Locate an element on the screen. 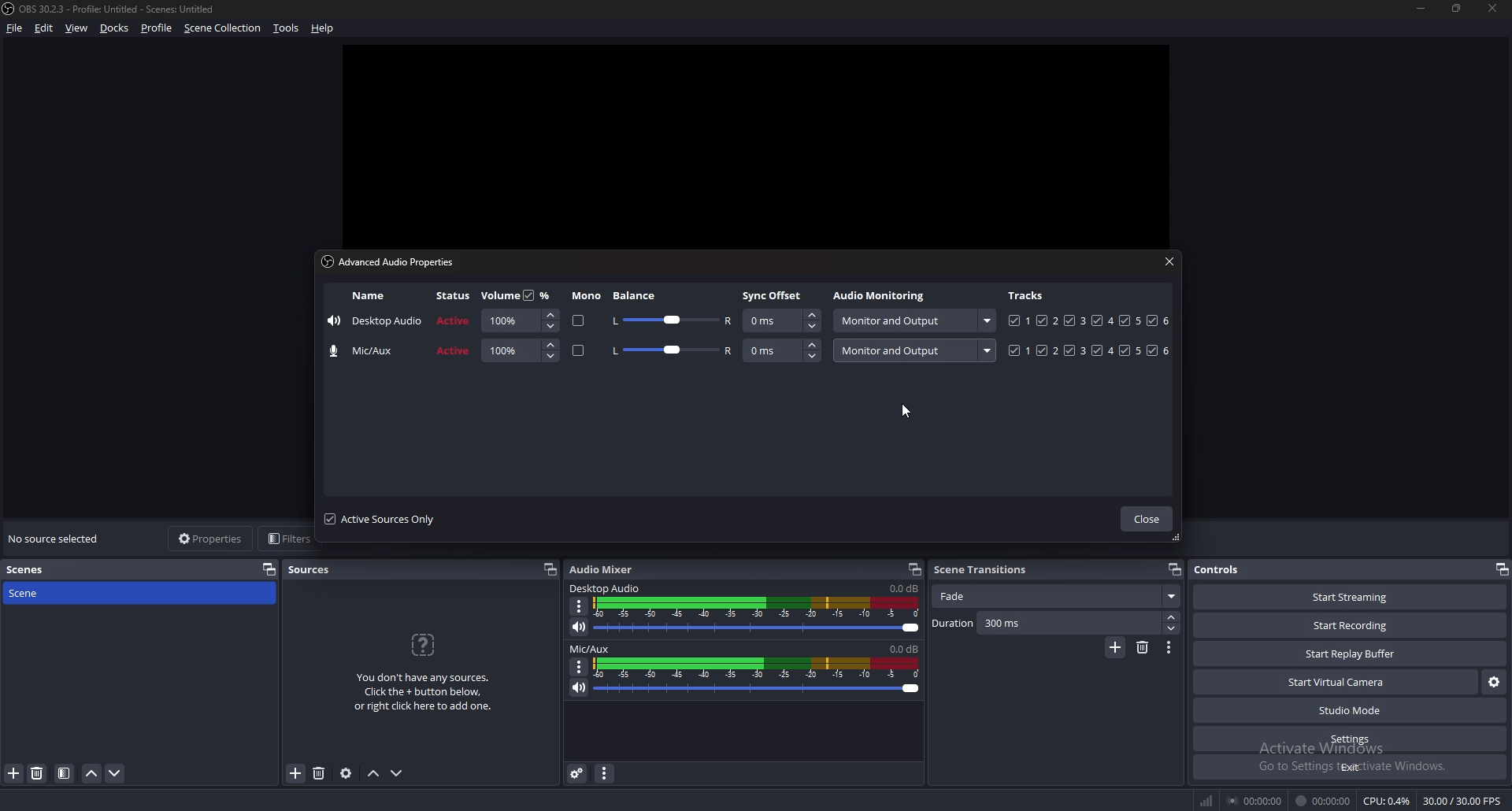 The image size is (1512, 811). volume adjust is located at coordinates (758, 687).